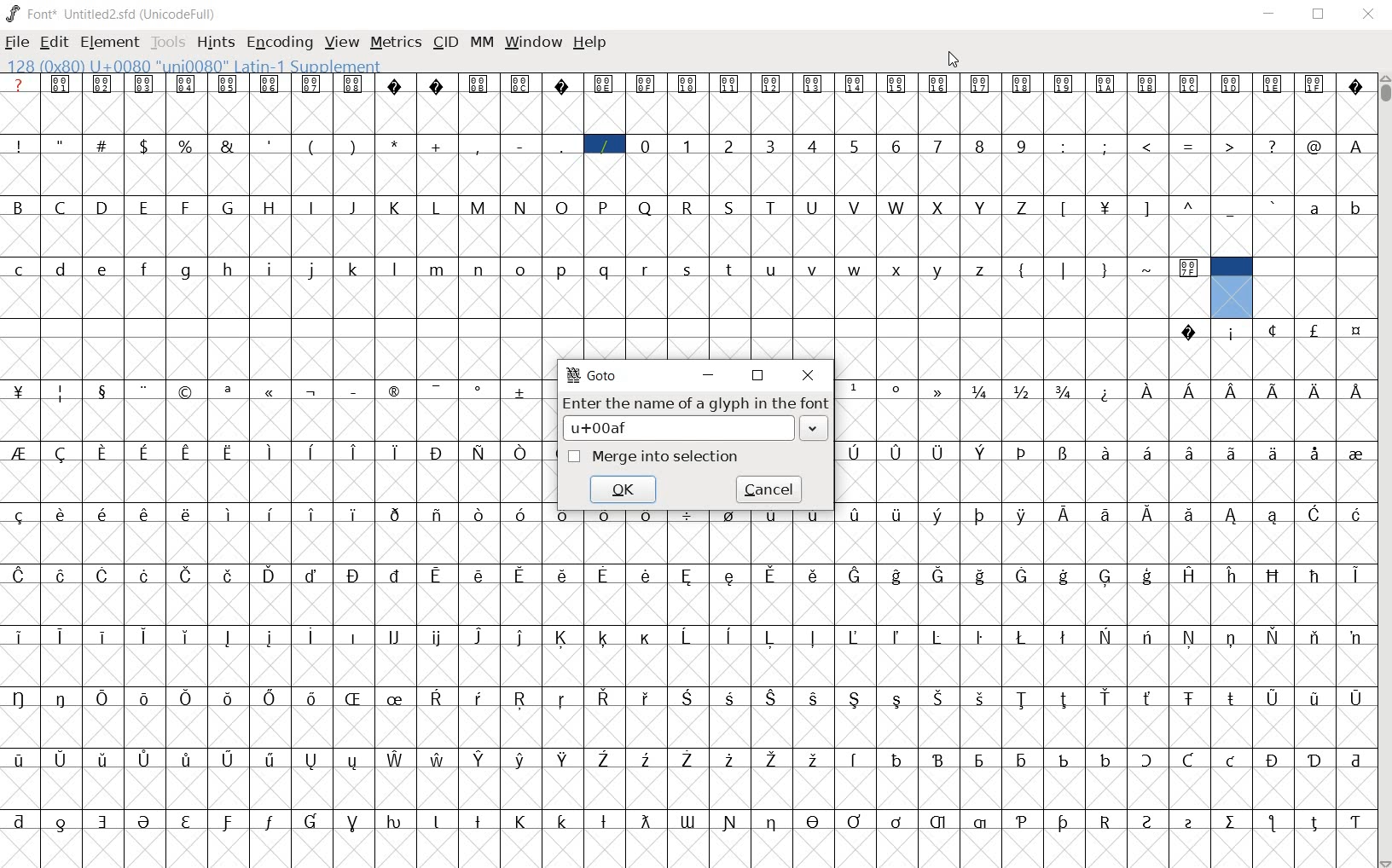 This screenshot has height=868, width=1392. What do you see at coordinates (940, 574) in the screenshot?
I see `Symbol` at bounding box center [940, 574].